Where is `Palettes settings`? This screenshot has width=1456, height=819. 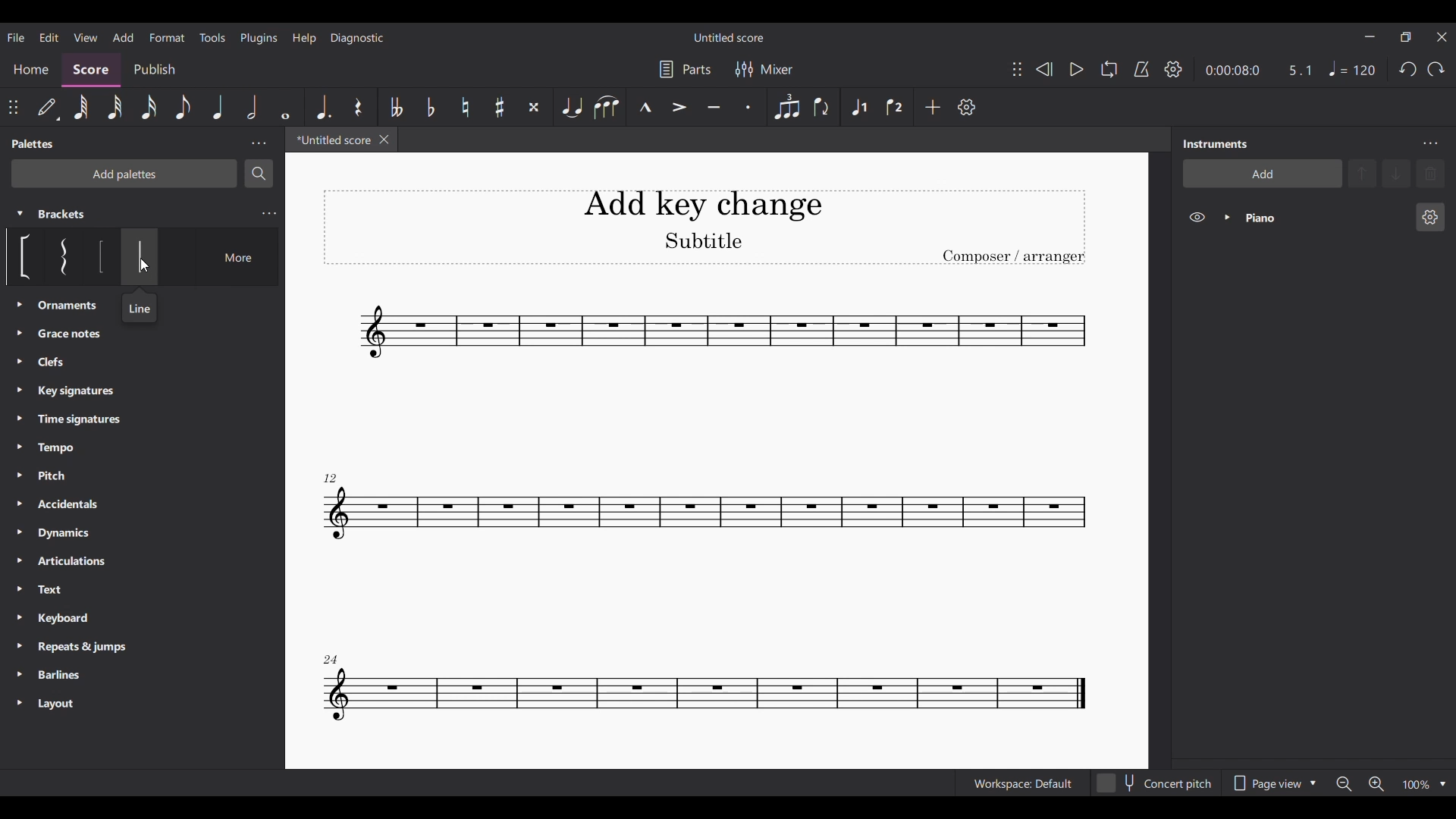 Palettes settings is located at coordinates (259, 143).